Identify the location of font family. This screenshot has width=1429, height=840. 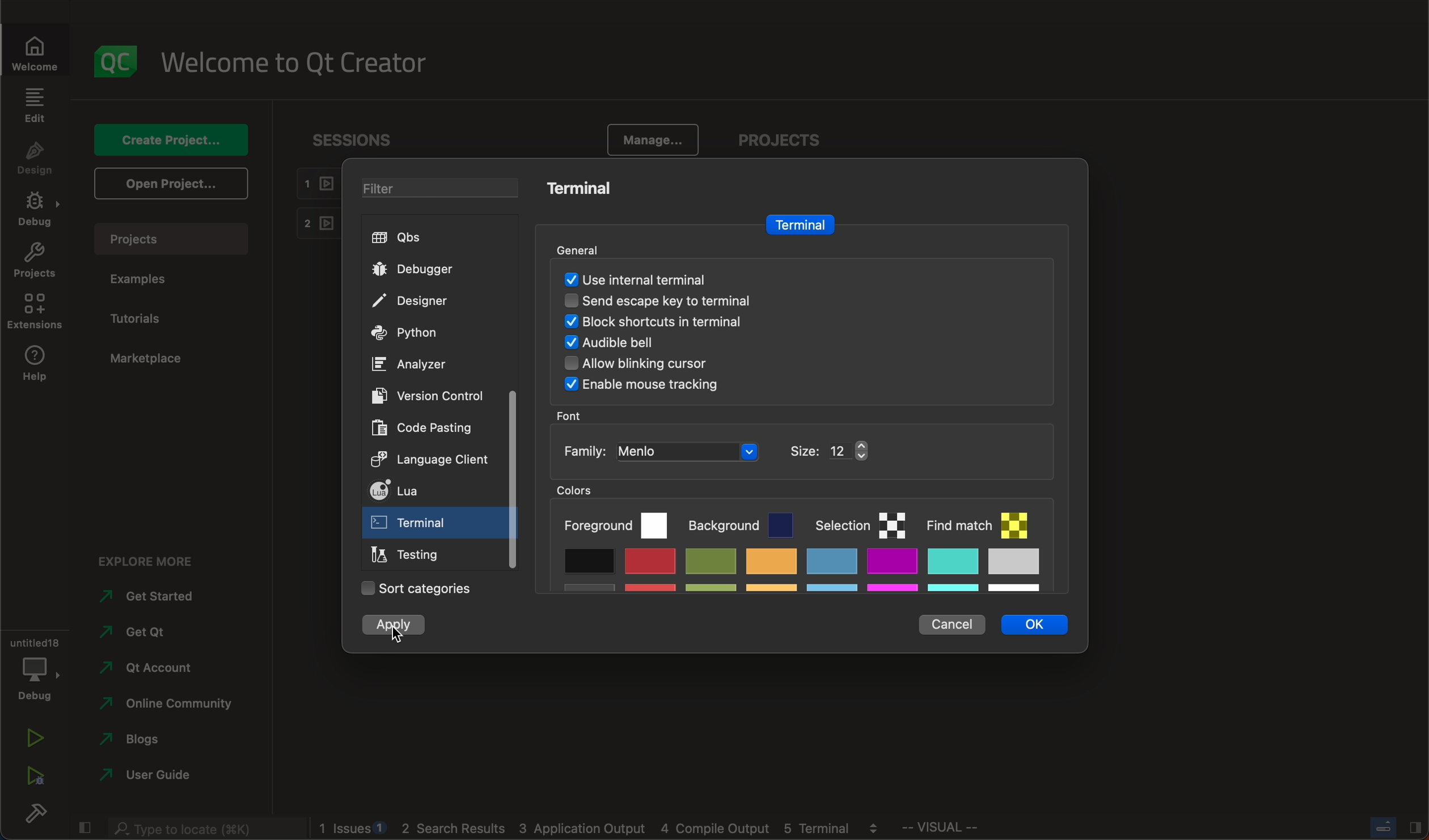
(717, 450).